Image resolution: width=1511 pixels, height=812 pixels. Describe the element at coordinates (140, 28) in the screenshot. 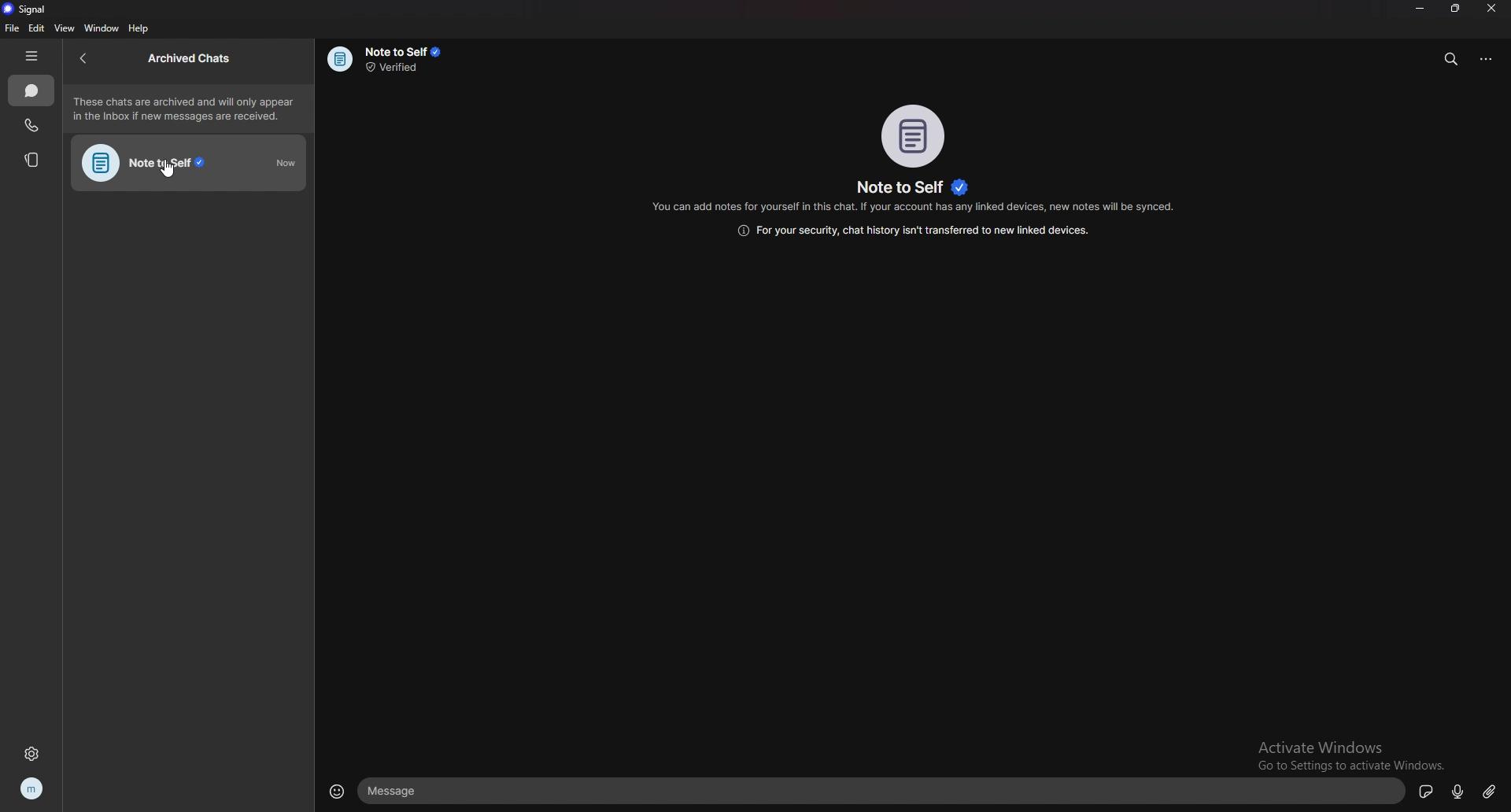

I see `help` at that location.